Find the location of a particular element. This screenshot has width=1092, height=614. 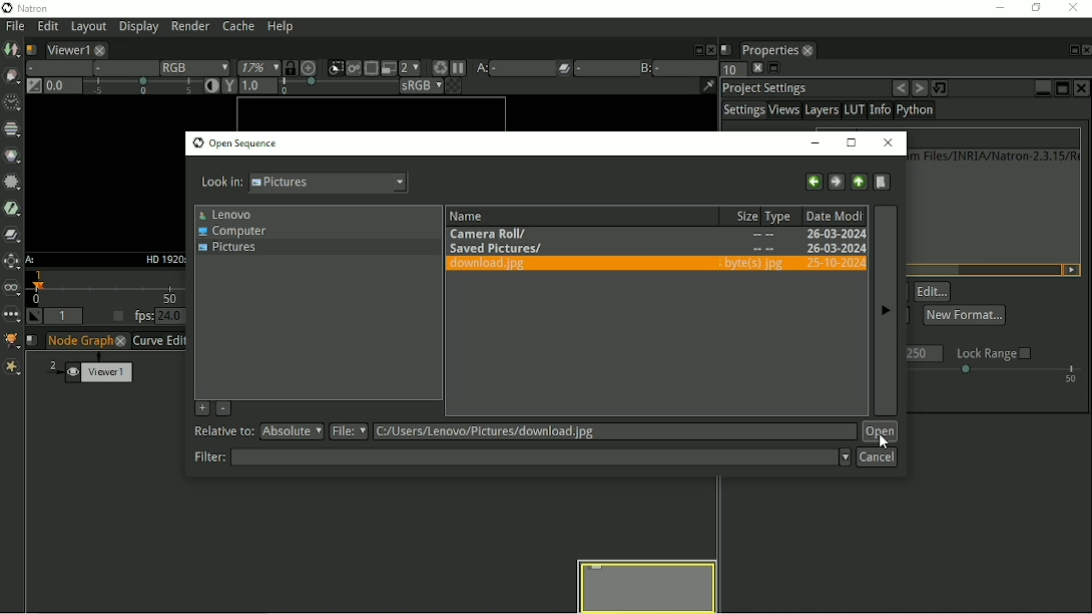

Close is located at coordinates (889, 143).